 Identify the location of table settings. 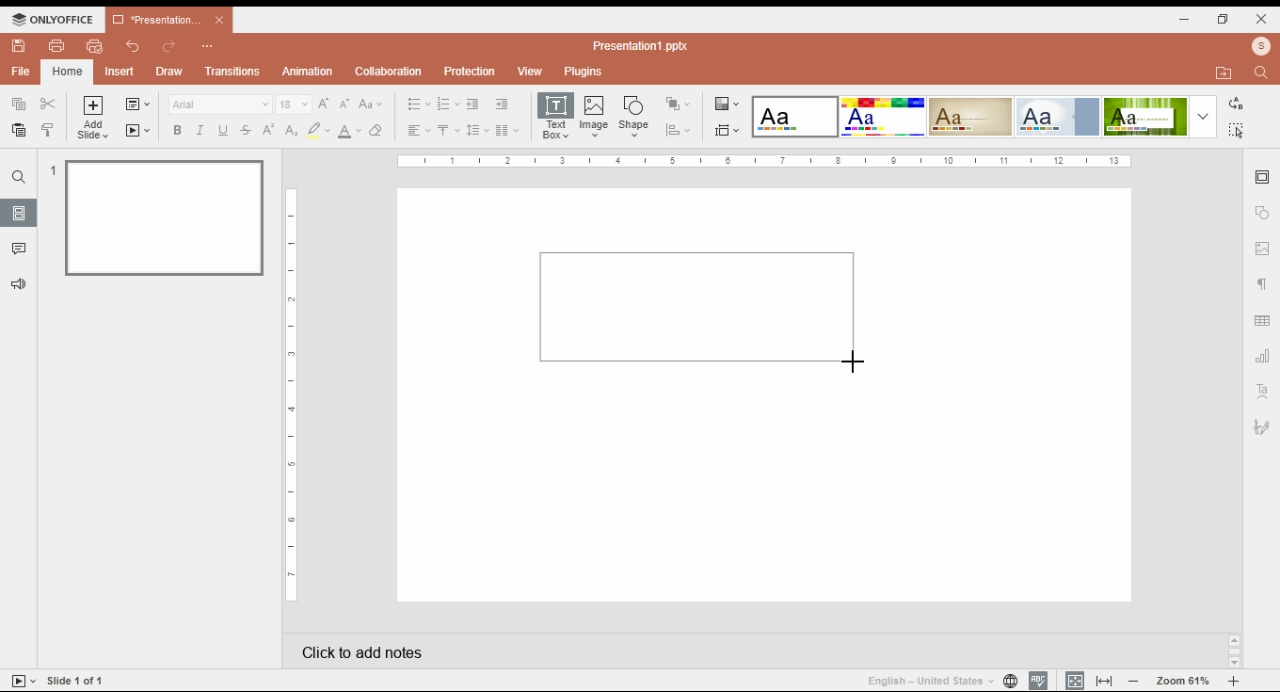
(1264, 322).